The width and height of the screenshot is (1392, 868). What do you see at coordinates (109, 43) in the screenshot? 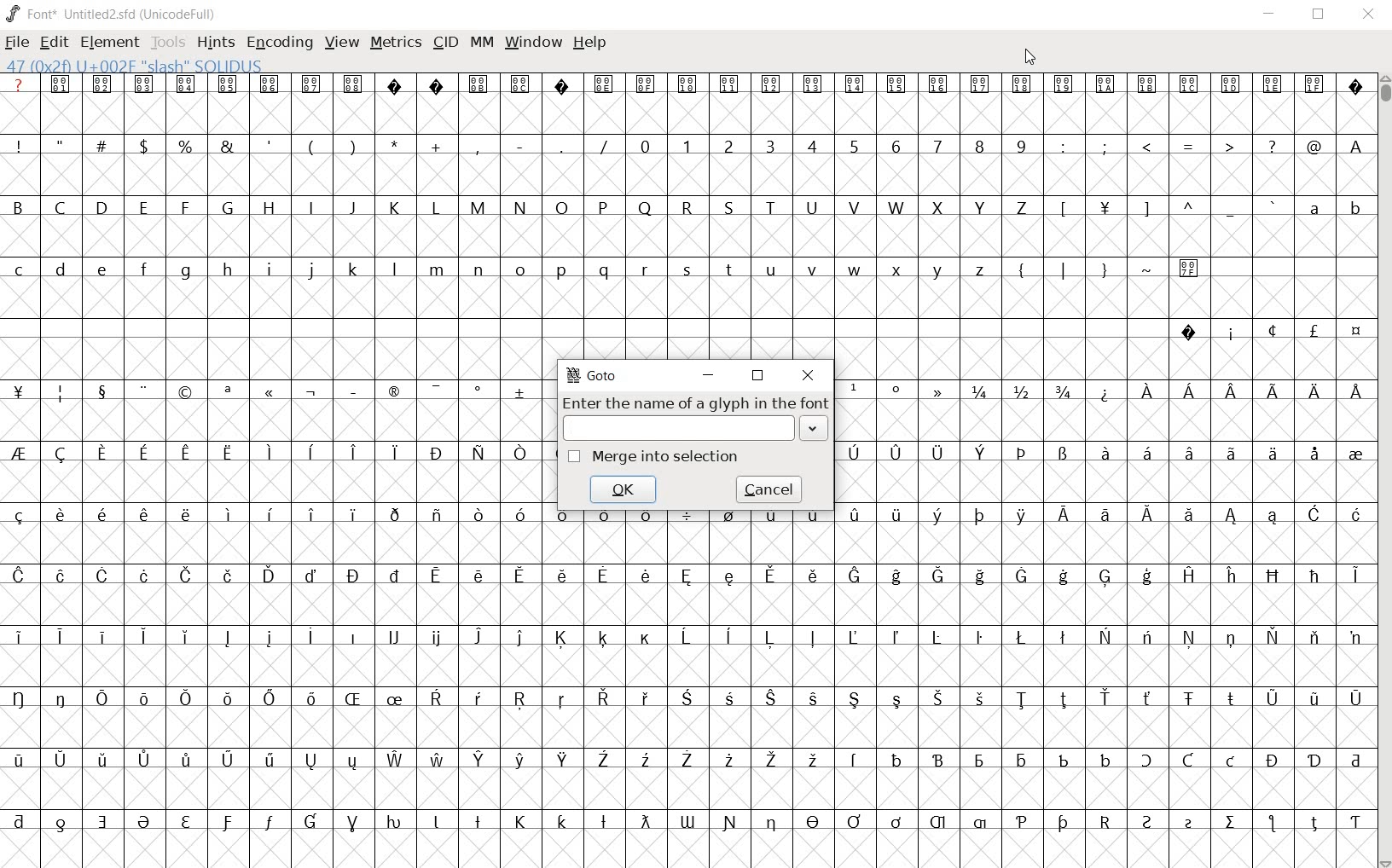
I see `ELEMENT` at bounding box center [109, 43].